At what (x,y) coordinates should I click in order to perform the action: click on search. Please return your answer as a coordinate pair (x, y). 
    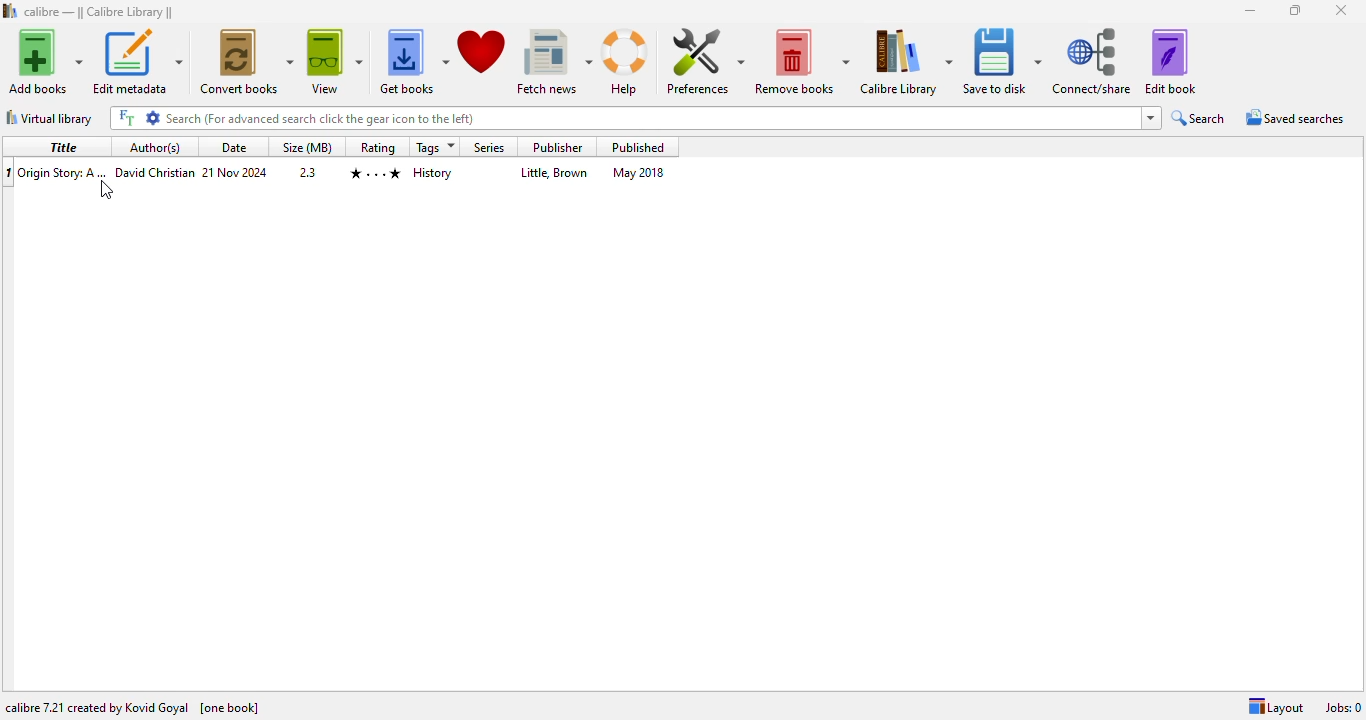
    Looking at the image, I should click on (1197, 117).